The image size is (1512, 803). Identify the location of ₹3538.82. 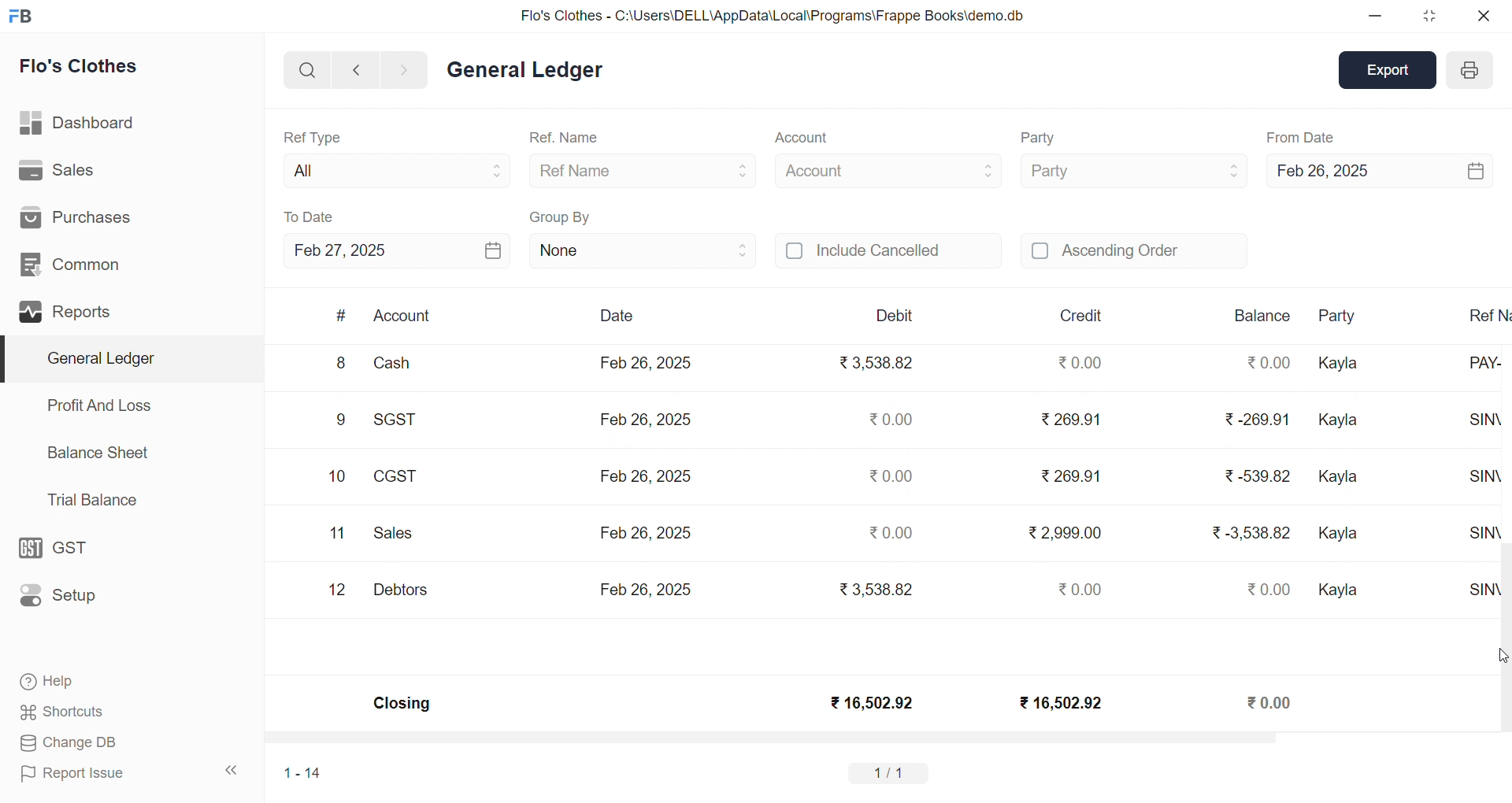
(880, 364).